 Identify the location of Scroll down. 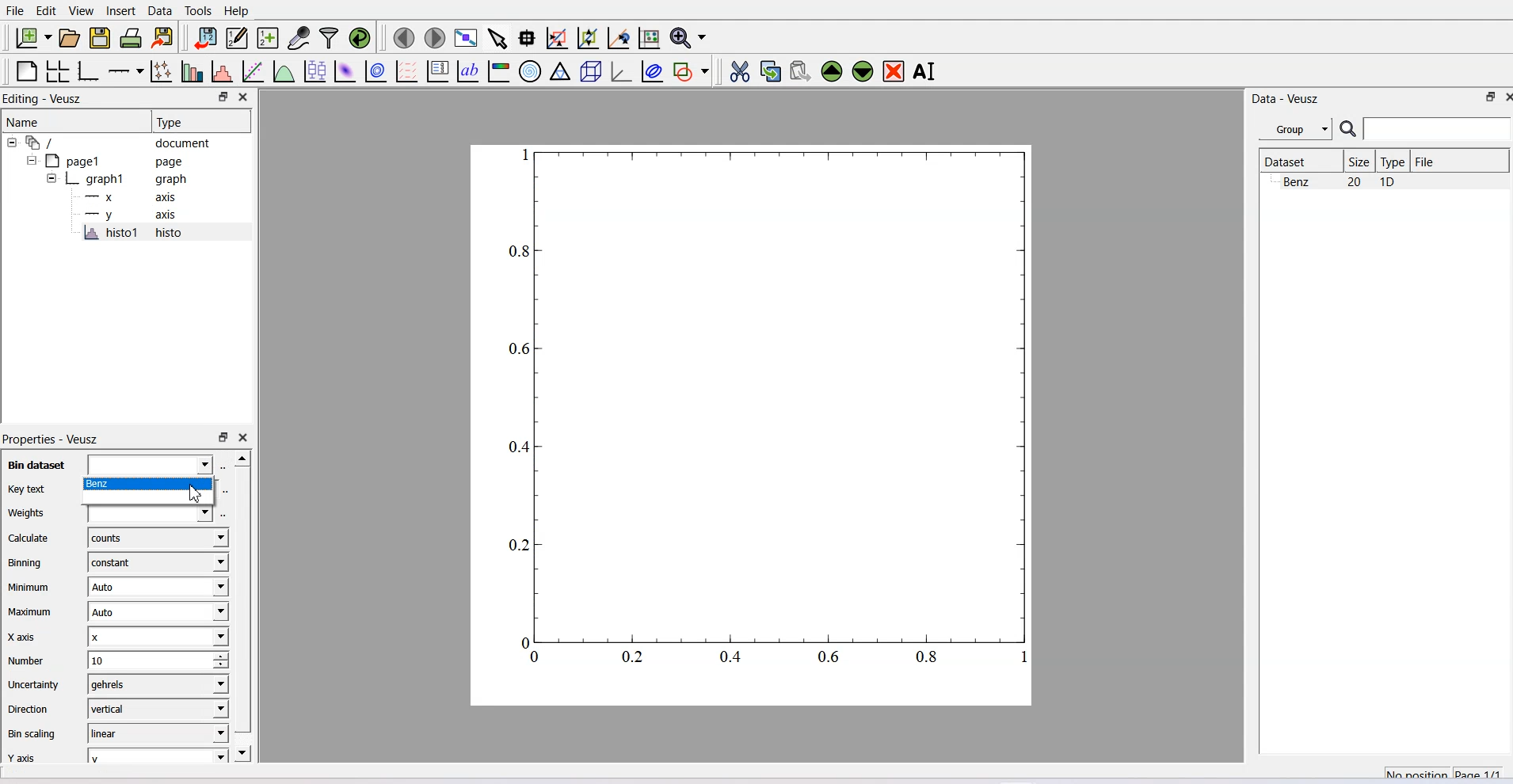
(244, 752).